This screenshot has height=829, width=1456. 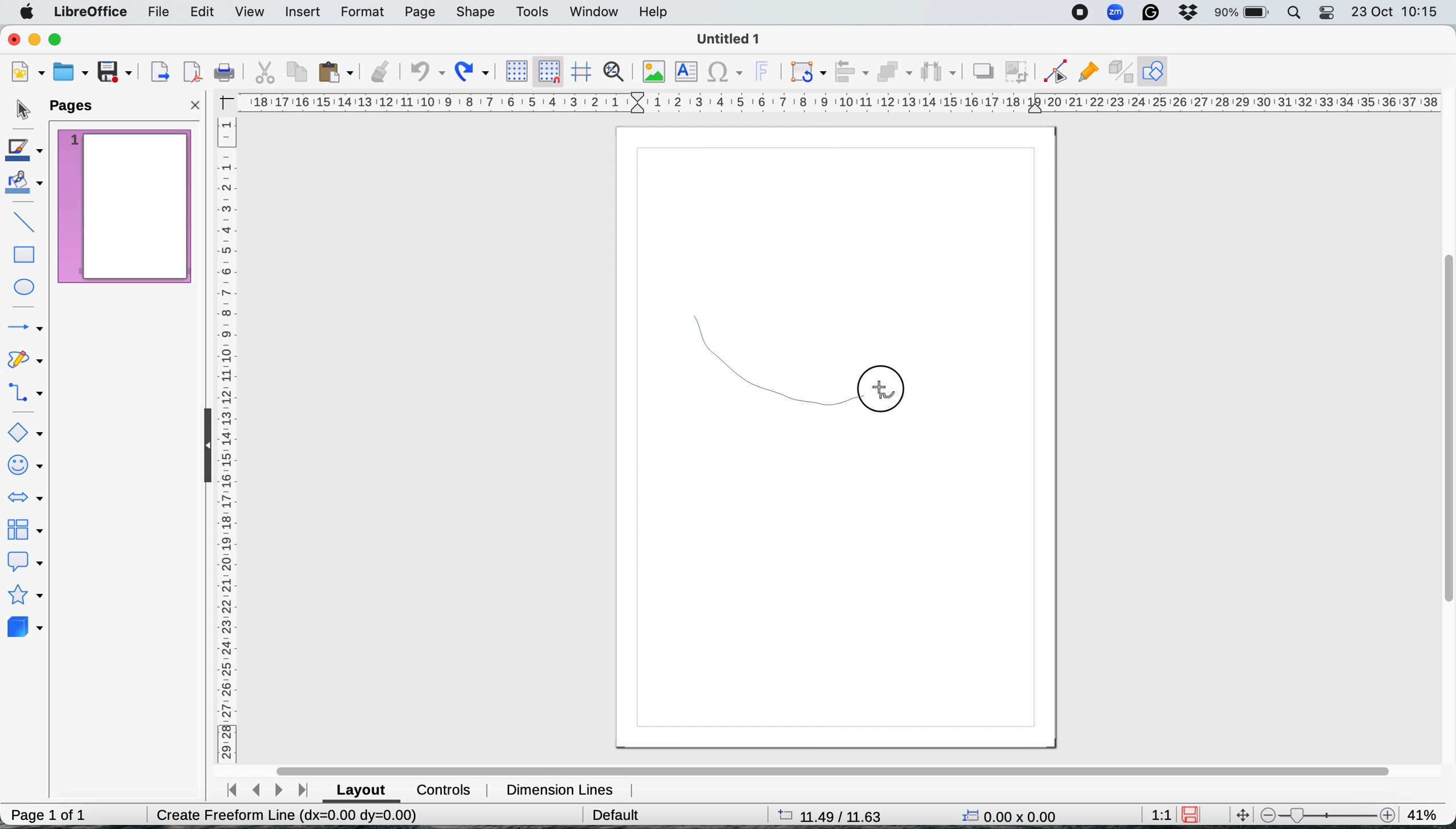 What do you see at coordinates (564, 788) in the screenshot?
I see `dimension lines` at bounding box center [564, 788].